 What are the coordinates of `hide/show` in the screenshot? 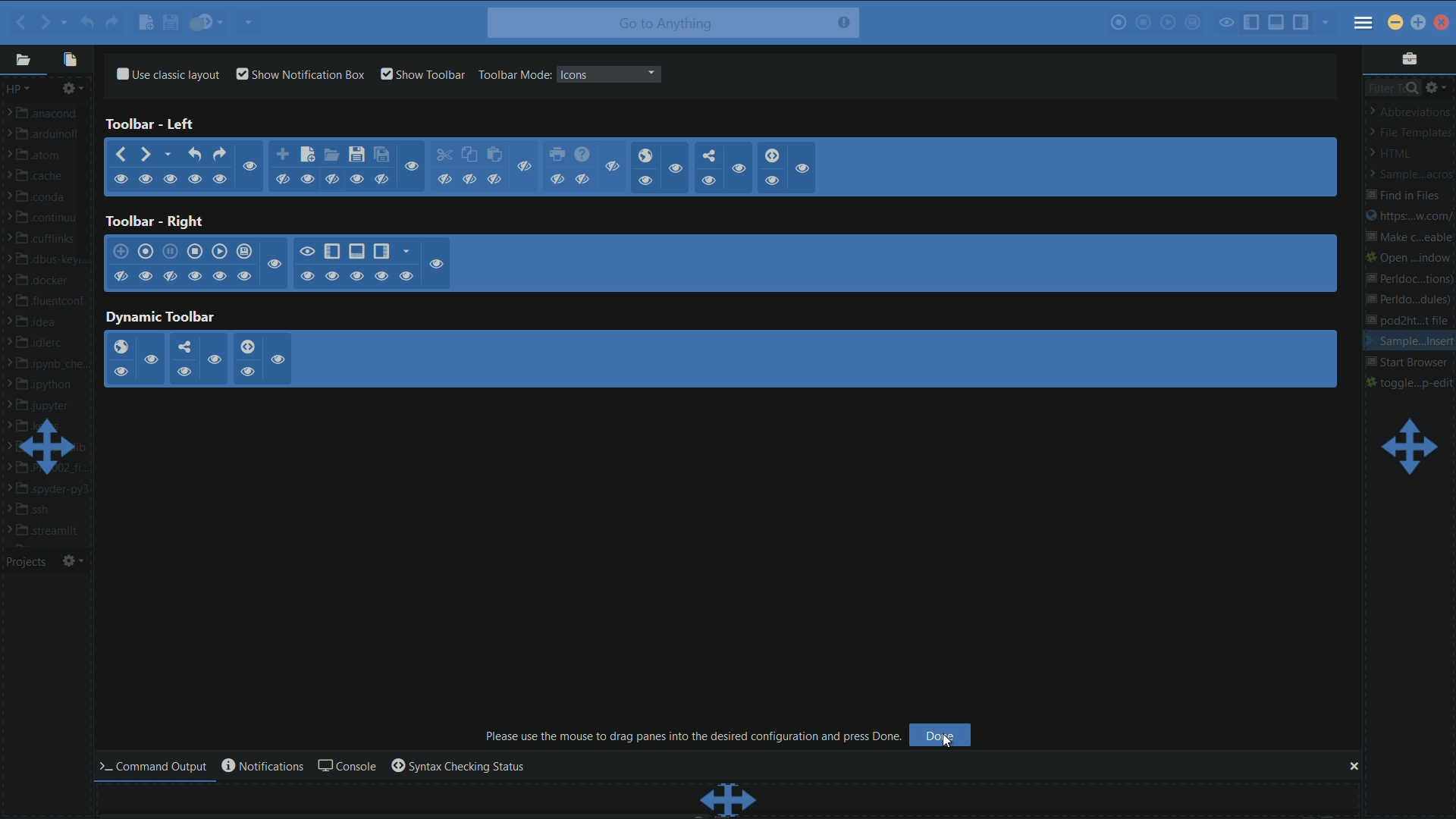 It's located at (406, 276).